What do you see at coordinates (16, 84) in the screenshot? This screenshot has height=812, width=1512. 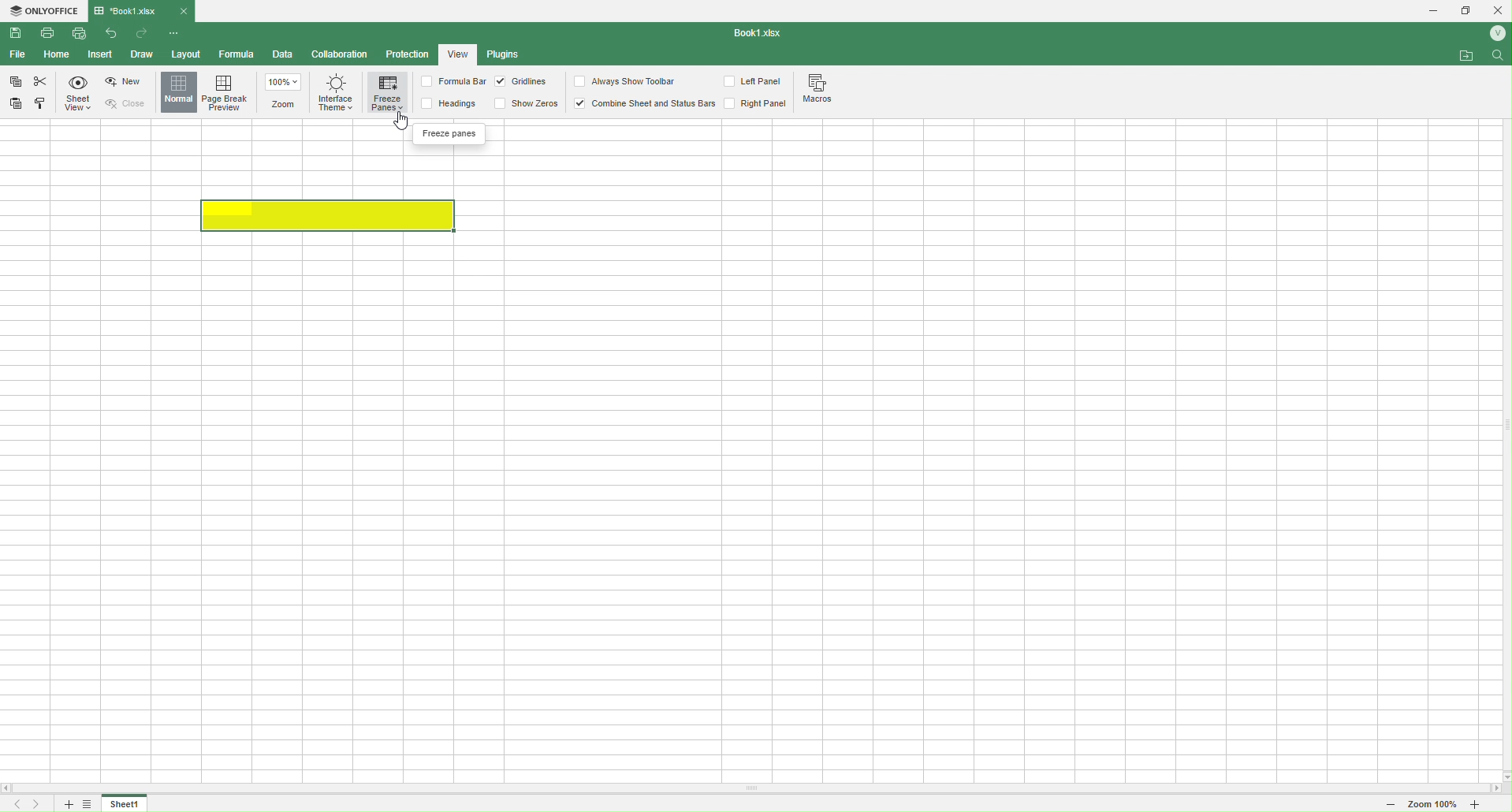 I see `Copy` at bounding box center [16, 84].